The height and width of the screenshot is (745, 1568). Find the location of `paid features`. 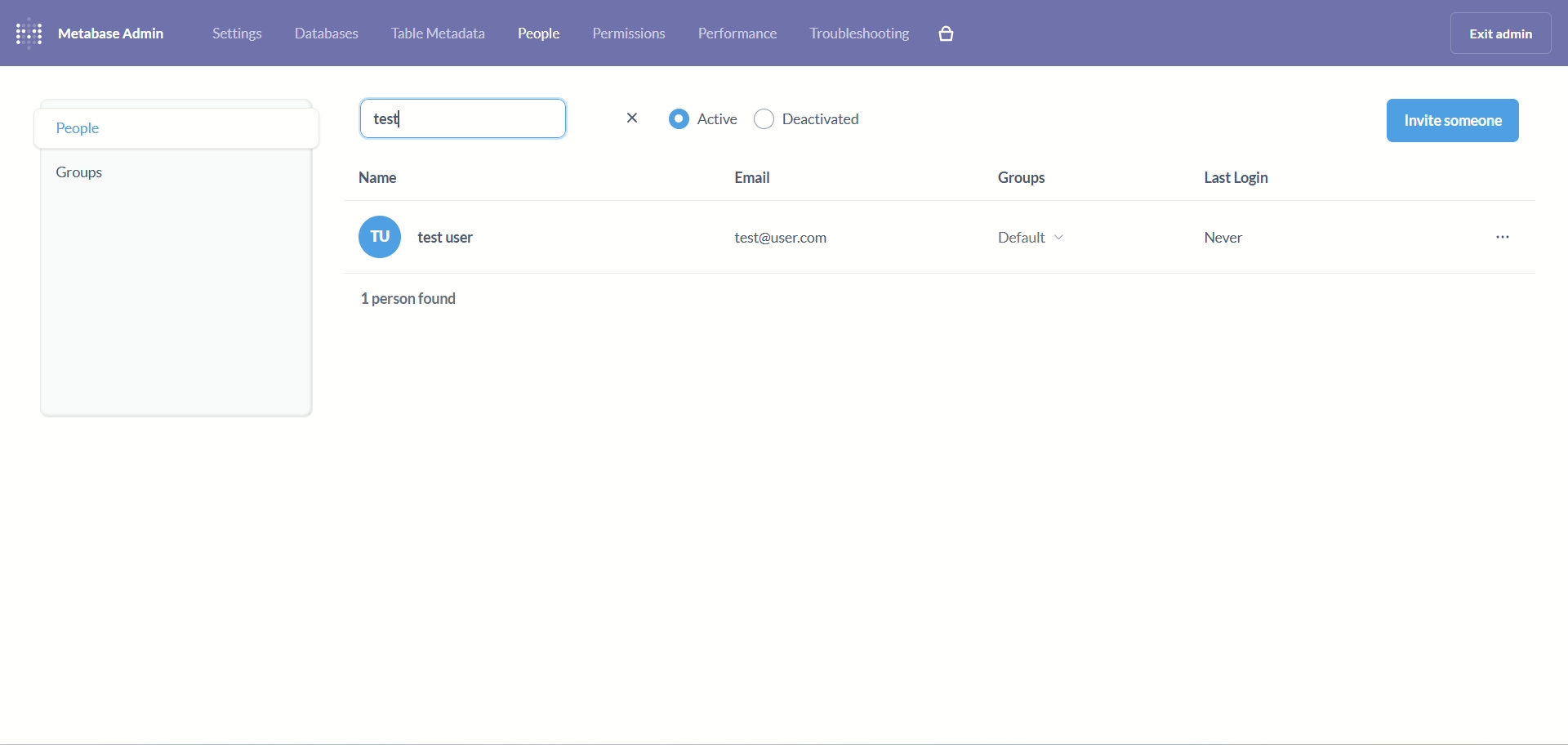

paid features is located at coordinates (947, 33).